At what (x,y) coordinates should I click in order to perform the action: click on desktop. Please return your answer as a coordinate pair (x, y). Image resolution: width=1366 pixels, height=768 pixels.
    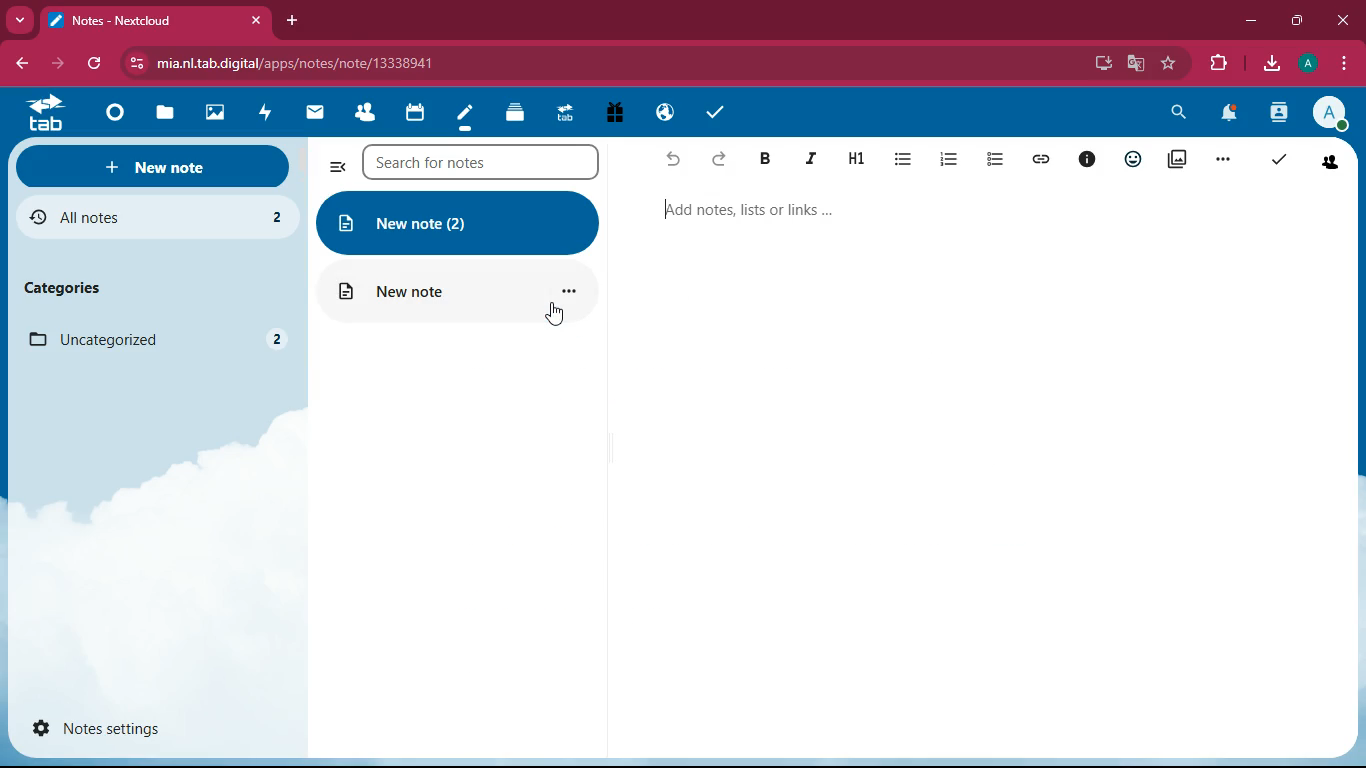
    Looking at the image, I should click on (1100, 64).